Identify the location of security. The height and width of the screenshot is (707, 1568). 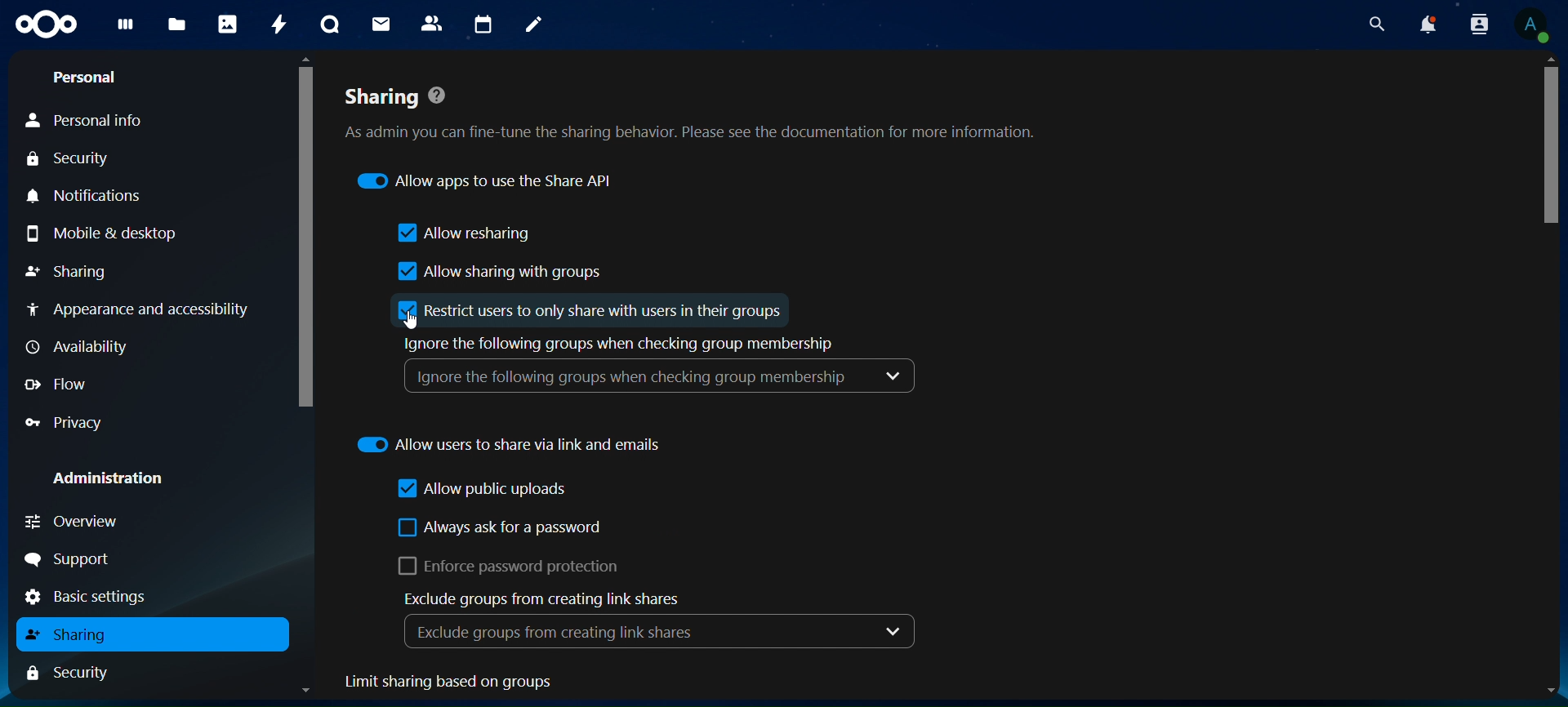
(82, 672).